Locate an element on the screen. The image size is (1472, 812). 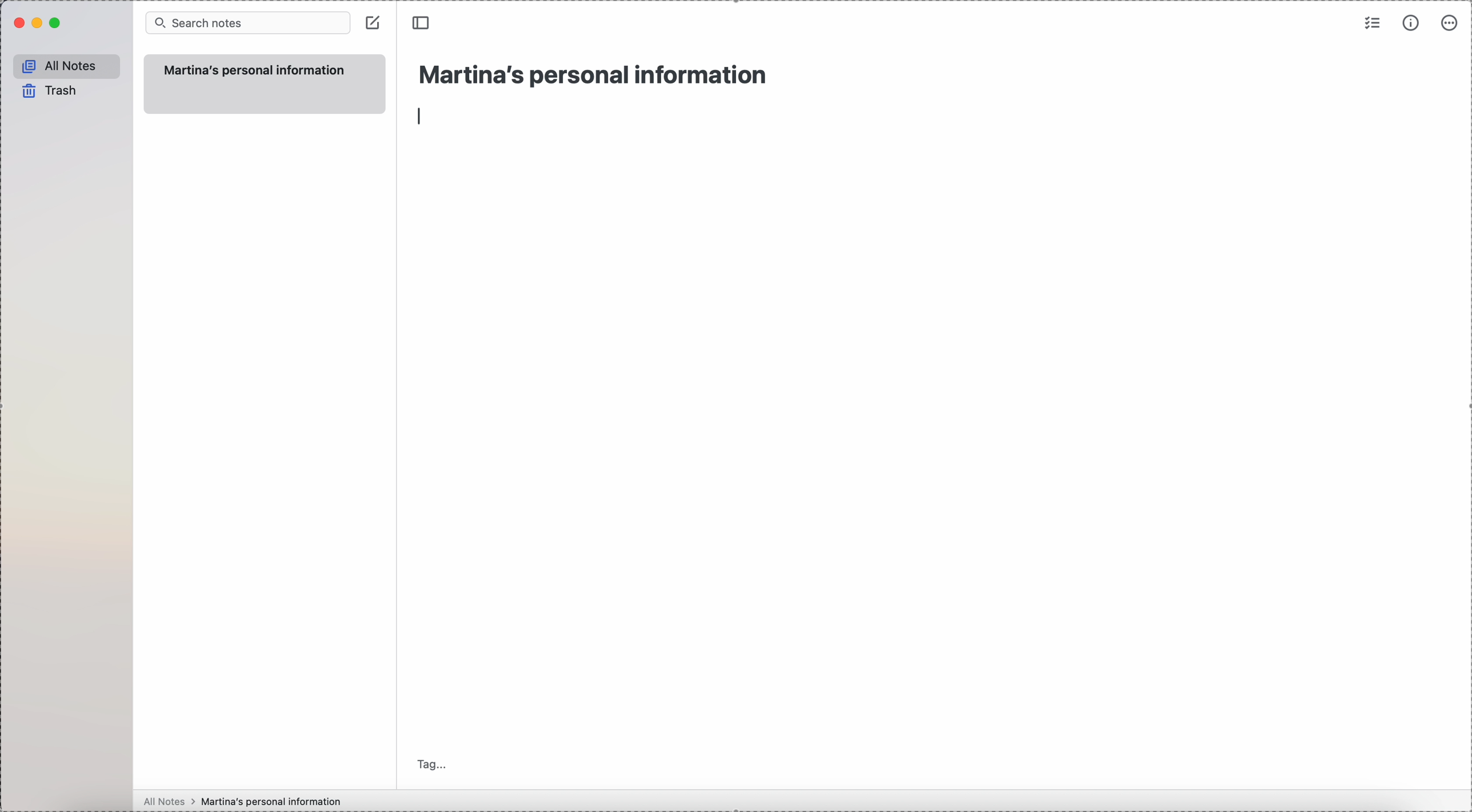
enter/line type is located at coordinates (422, 117).